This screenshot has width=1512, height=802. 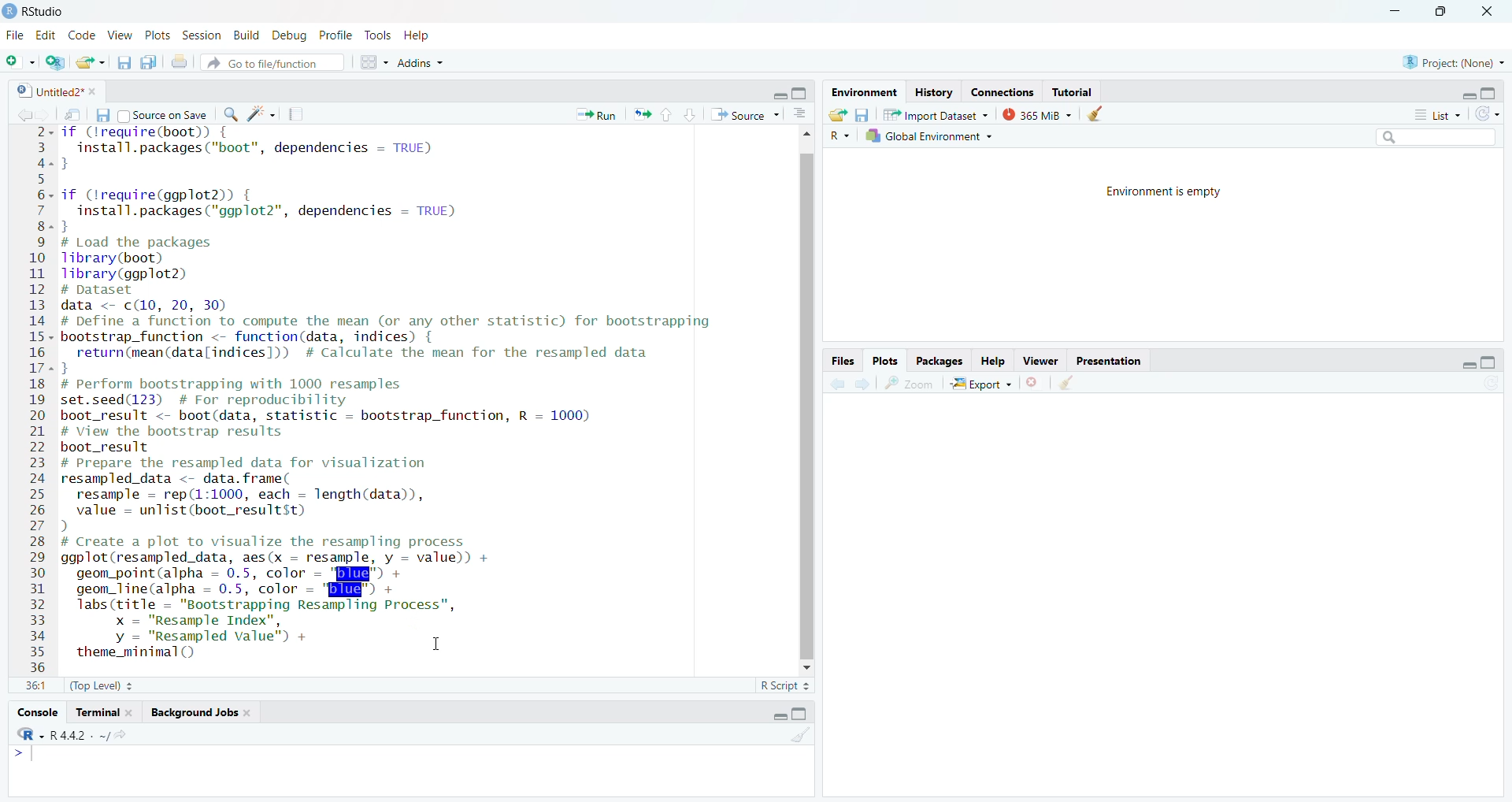 What do you see at coordinates (910, 383) in the screenshot?
I see `zoom` at bounding box center [910, 383].